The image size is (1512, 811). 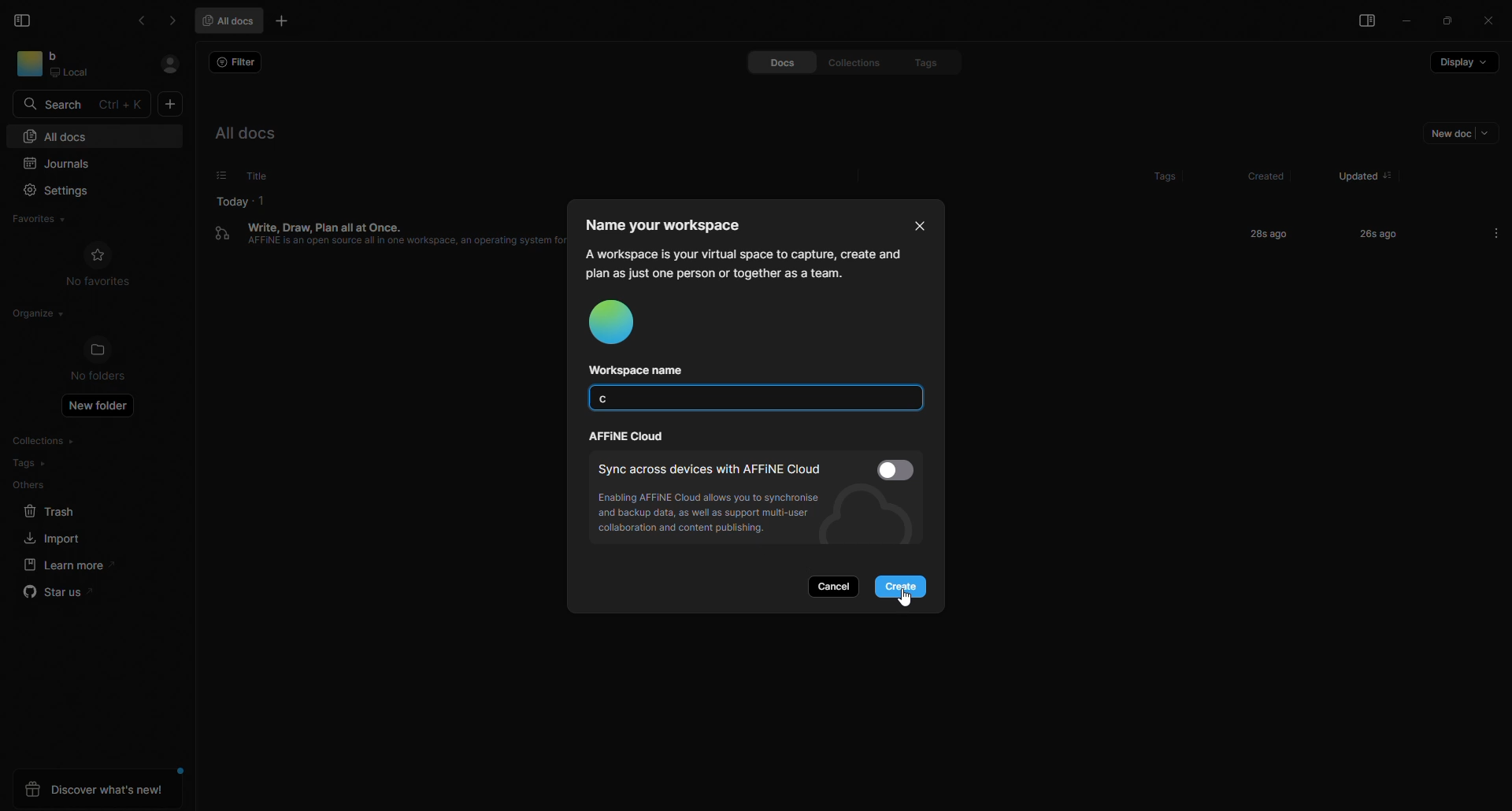 I want to click on info, so click(x=718, y=516).